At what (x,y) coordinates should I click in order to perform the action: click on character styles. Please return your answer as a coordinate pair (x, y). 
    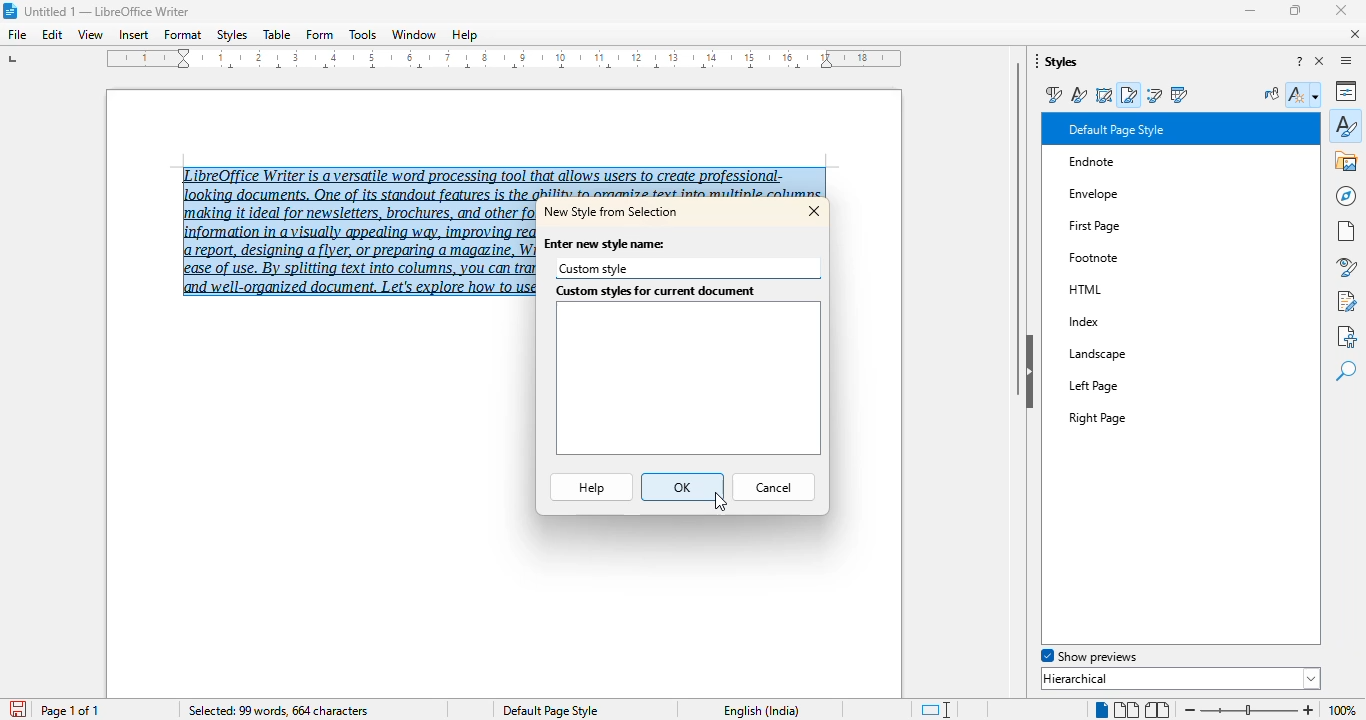
    Looking at the image, I should click on (1080, 95).